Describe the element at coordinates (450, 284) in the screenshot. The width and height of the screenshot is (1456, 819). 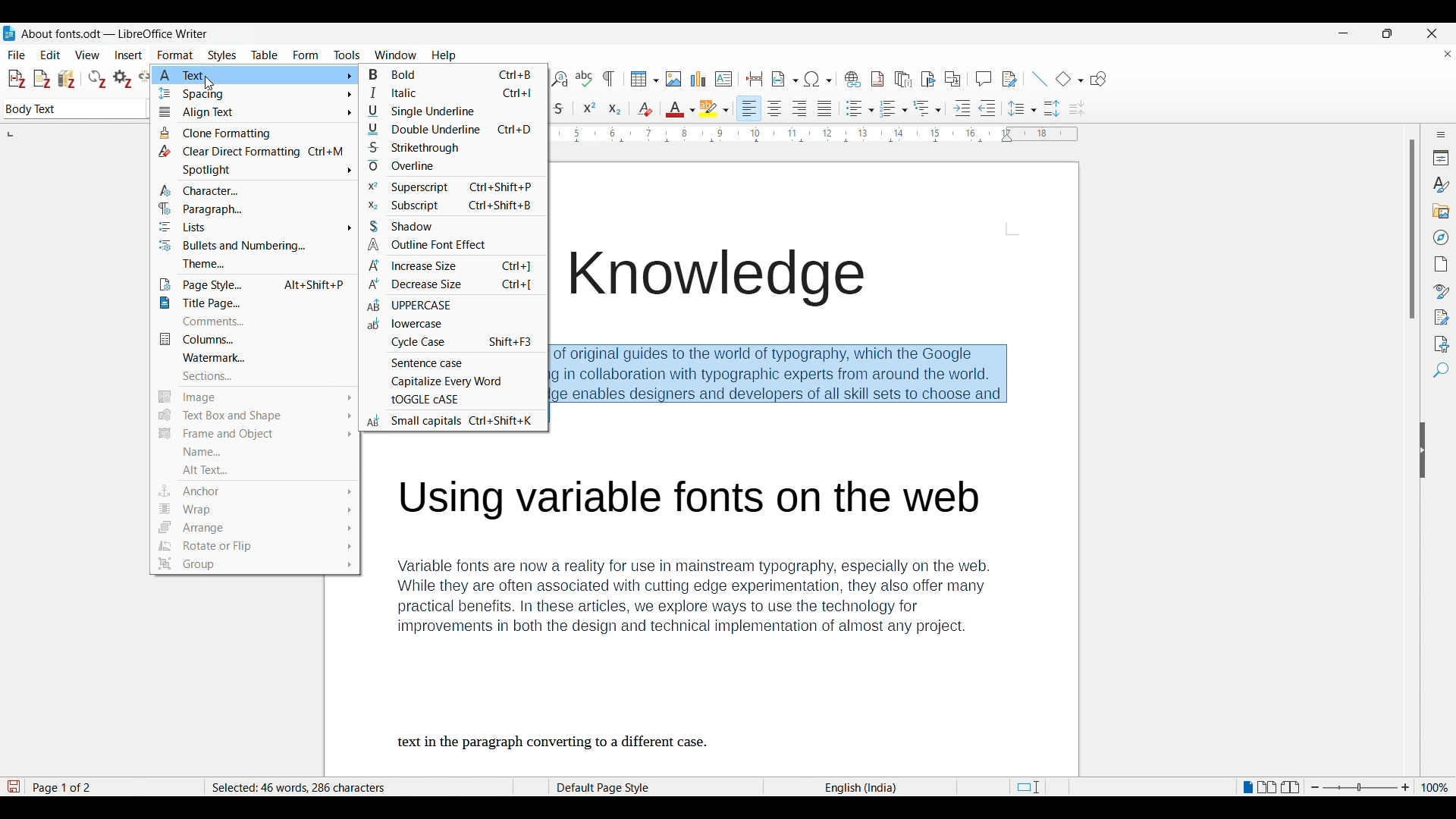
I see `Decrease size` at that location.